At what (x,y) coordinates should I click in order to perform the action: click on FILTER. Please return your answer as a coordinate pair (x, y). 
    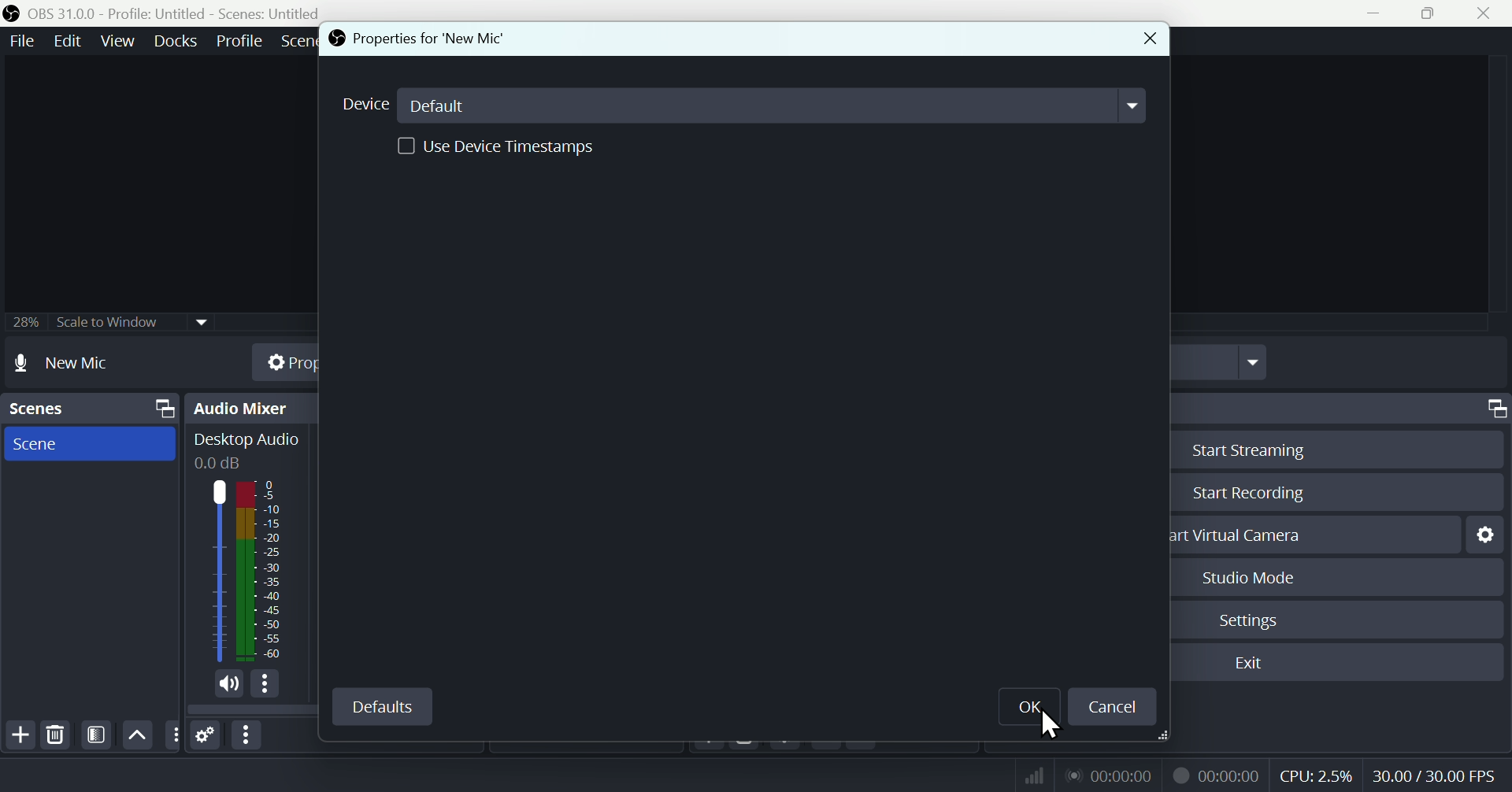
    Looking at the image, I should click on (94, 735).